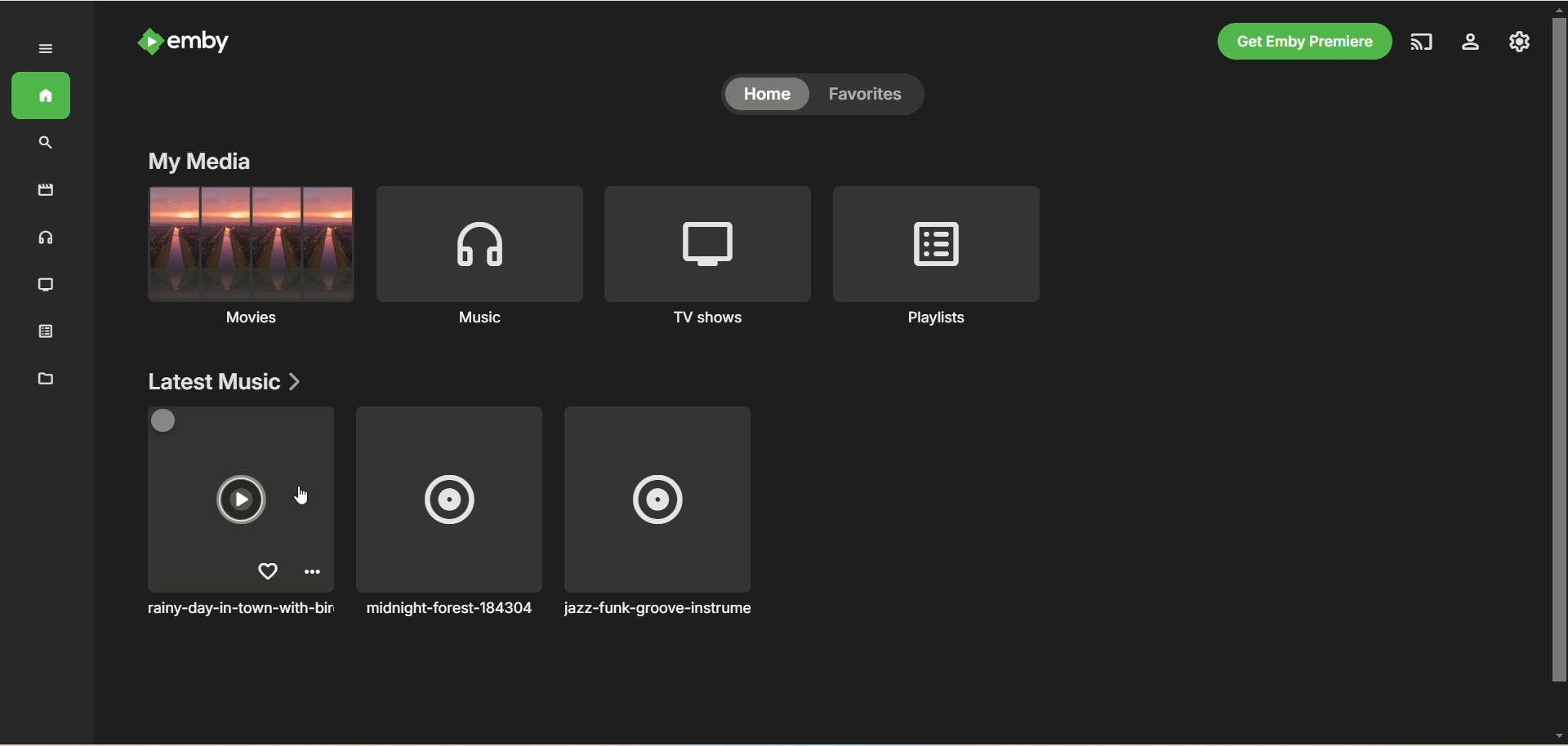 This screenshot has height=746, width=1568. What do you see at coordinates (1472, 42) in the screenshot?
I see `manage emby server` at bounding box center [1472, 42].